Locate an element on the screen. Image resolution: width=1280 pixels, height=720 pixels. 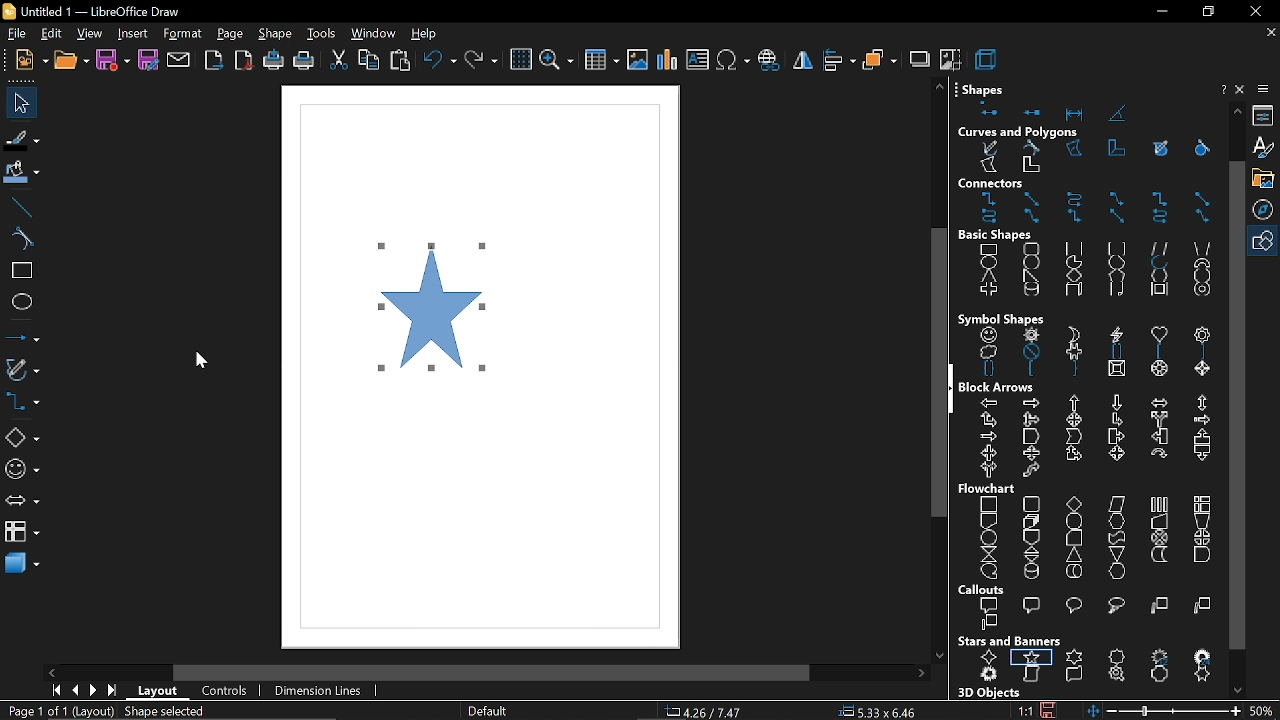
format is located at coordinates (183, 35).